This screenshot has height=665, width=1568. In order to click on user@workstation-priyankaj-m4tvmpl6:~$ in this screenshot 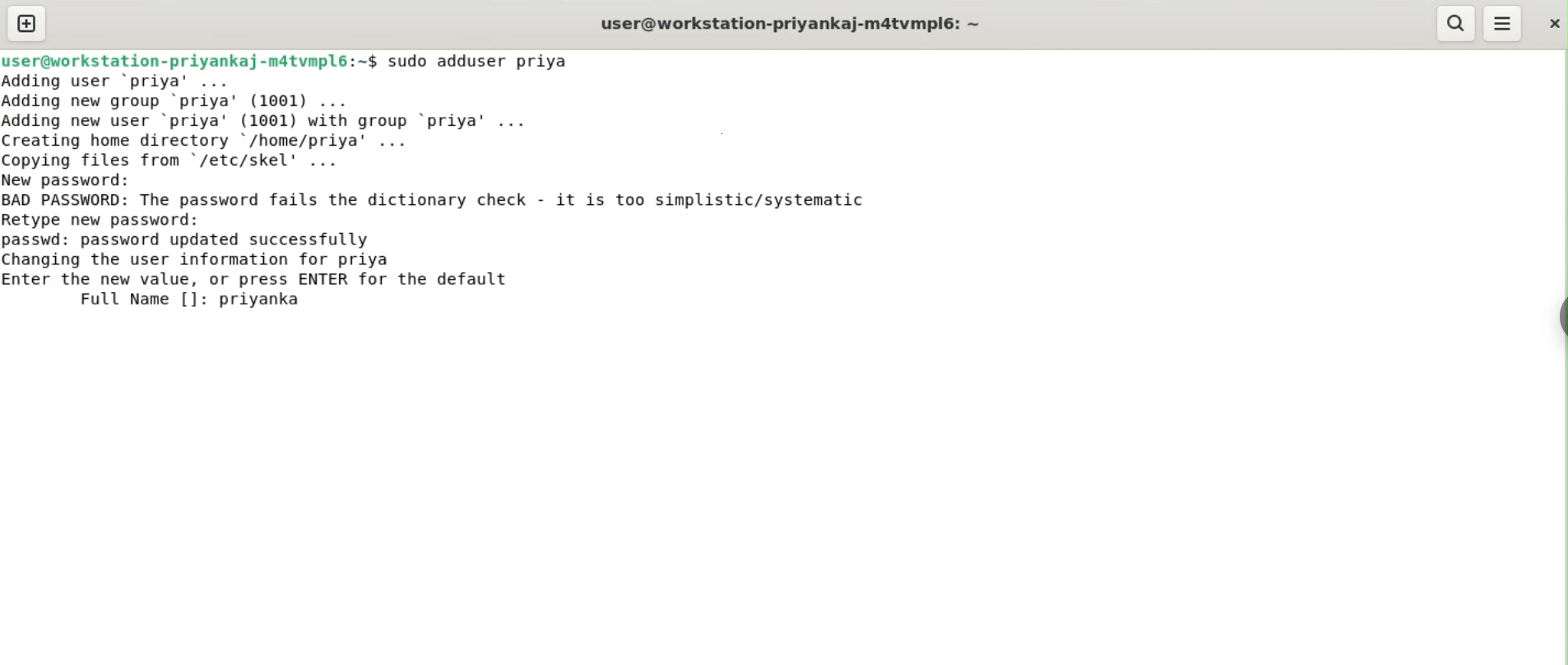, I will do `click(189, 58)`.